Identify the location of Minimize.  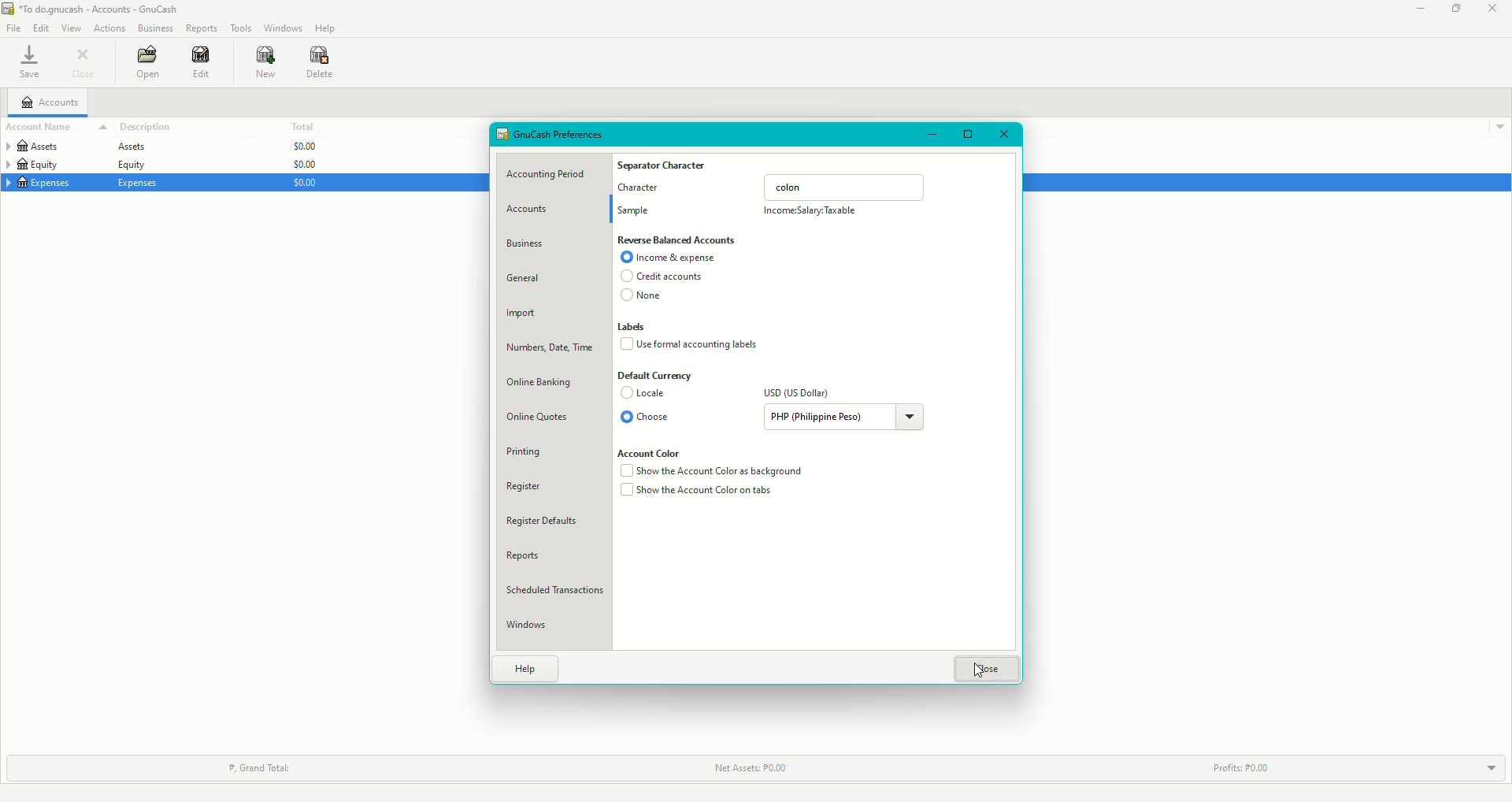
(934, 135).